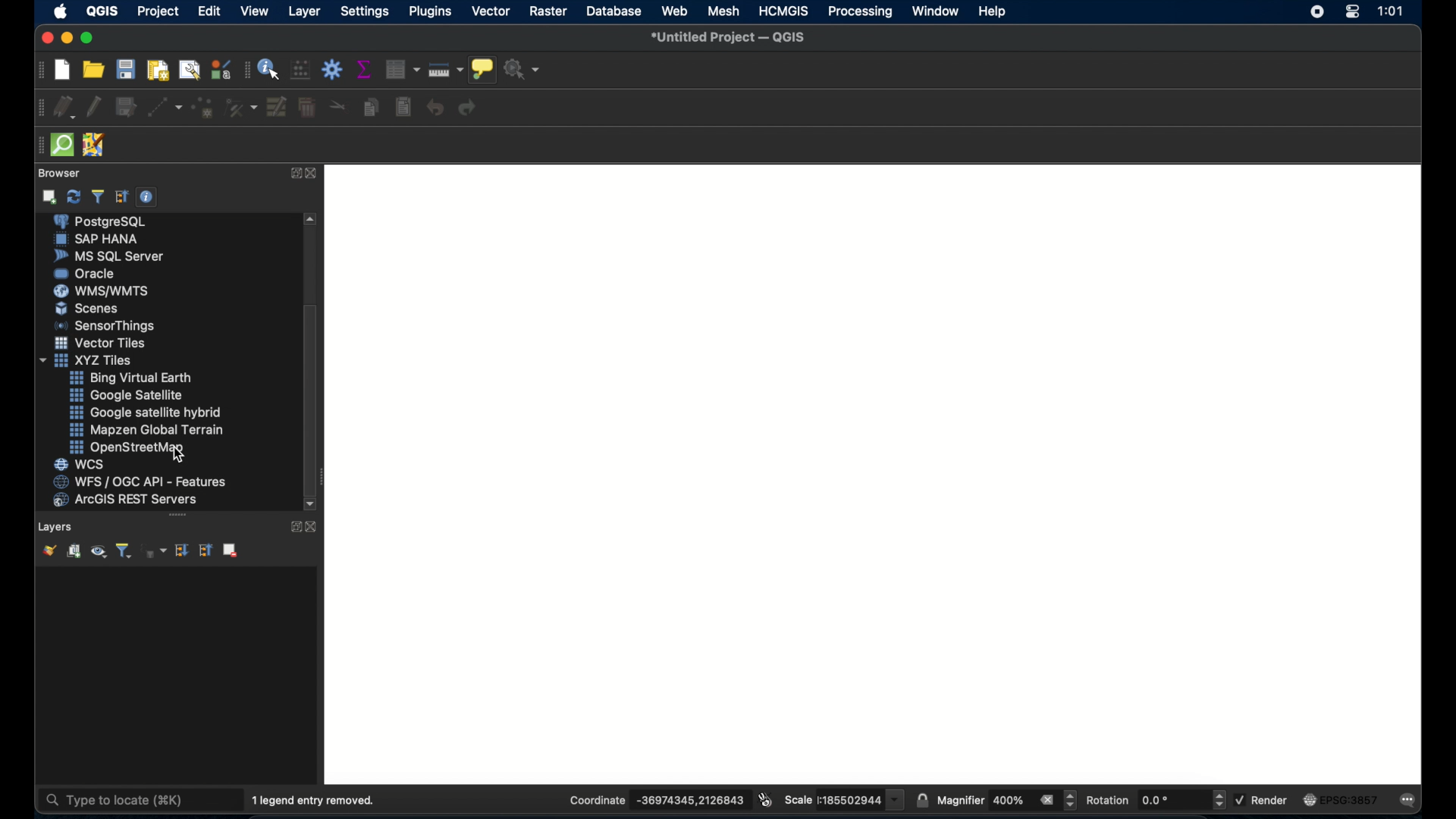 Image resolution: width=1456 pixels, height=819 pixels. What do you see at coordinates (204, 108) in the screenshot?
I see `add point feature` at bounding box center [204, 108].